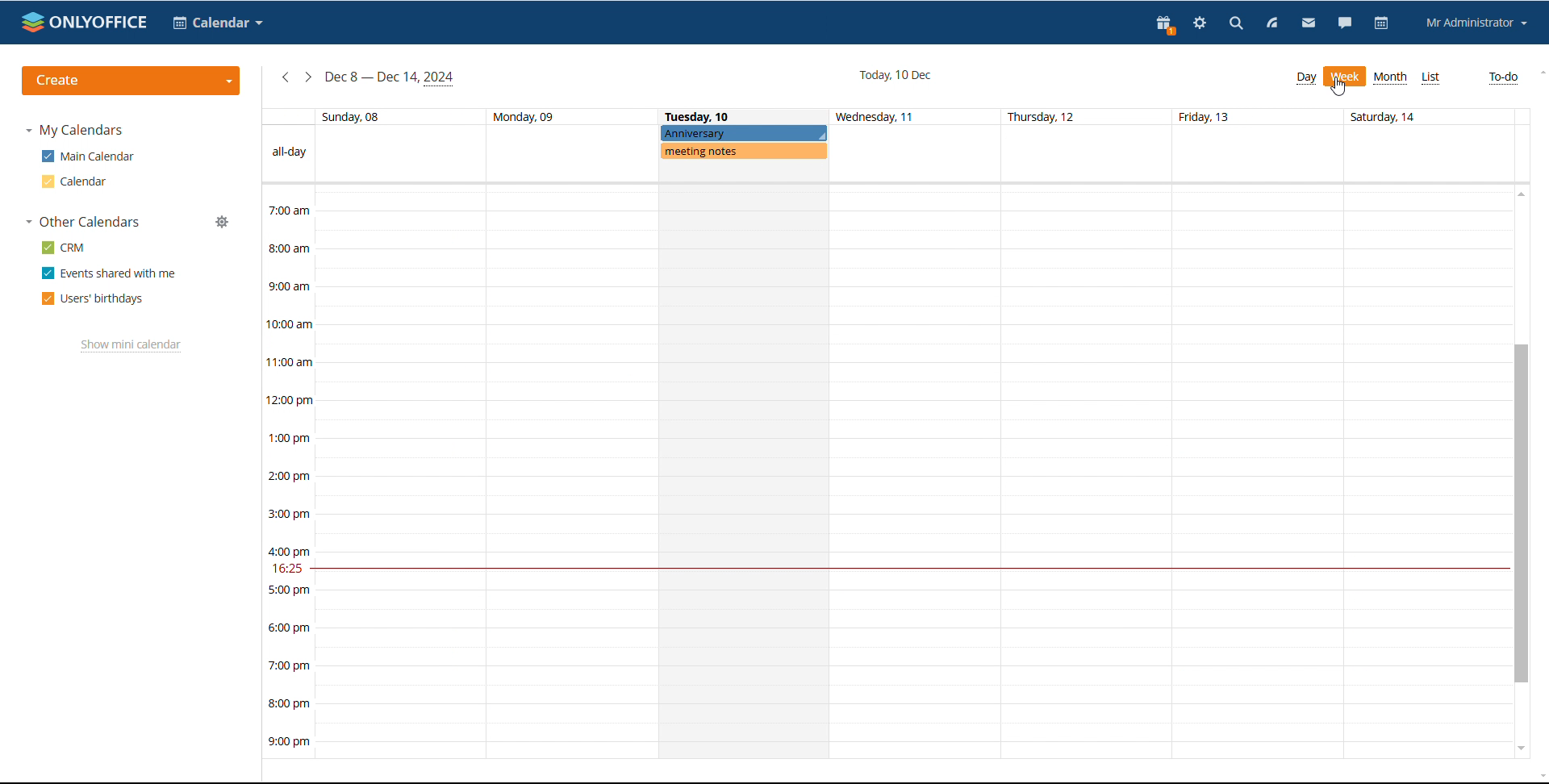 Image resolution: width=1549 pixels, height=784 pixels. I want to click on scroll up, so click(1539, 74).